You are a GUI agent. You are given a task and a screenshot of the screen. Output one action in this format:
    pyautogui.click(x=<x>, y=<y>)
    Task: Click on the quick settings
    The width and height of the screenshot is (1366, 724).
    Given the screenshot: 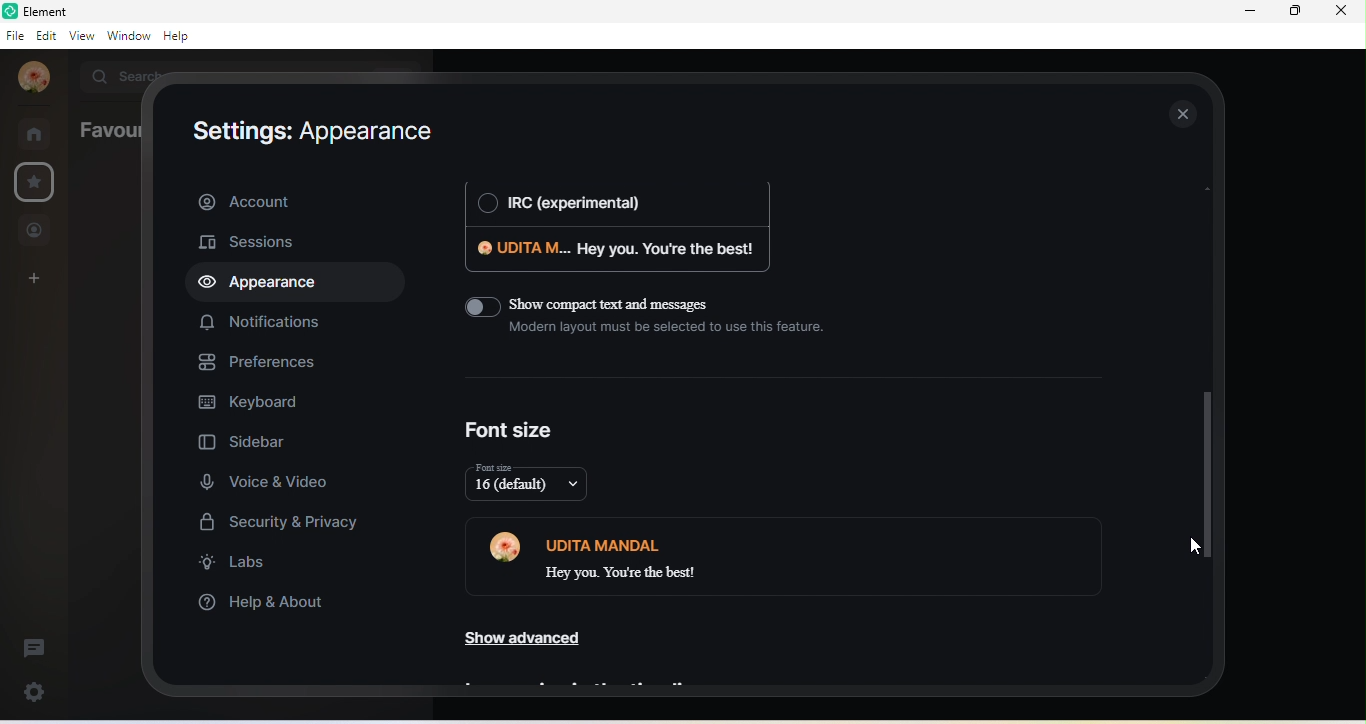 What is the action you would take?
    pyautogui.click(x=38, y=690)
    